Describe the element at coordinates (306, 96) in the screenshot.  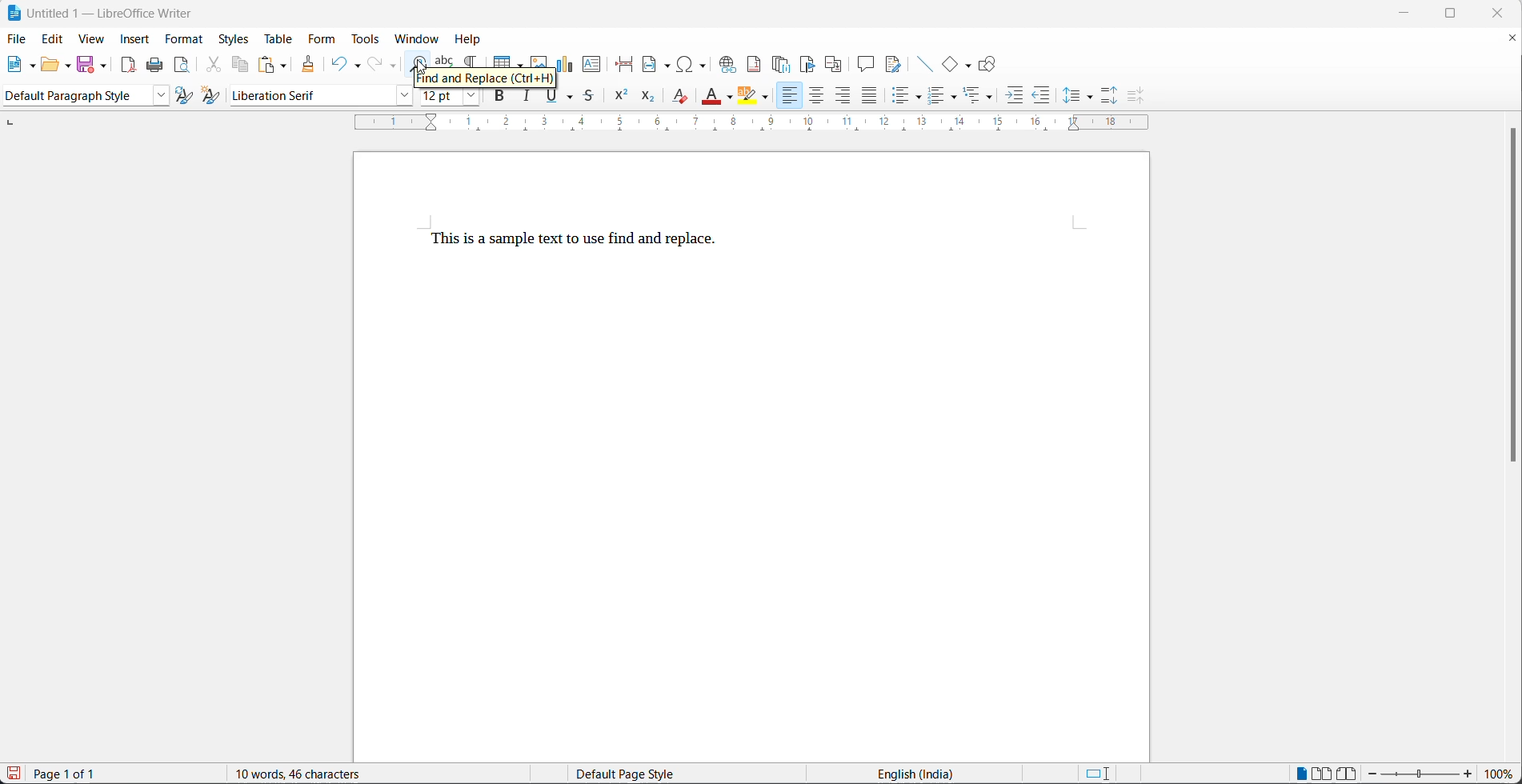
I see `font name` at that location.